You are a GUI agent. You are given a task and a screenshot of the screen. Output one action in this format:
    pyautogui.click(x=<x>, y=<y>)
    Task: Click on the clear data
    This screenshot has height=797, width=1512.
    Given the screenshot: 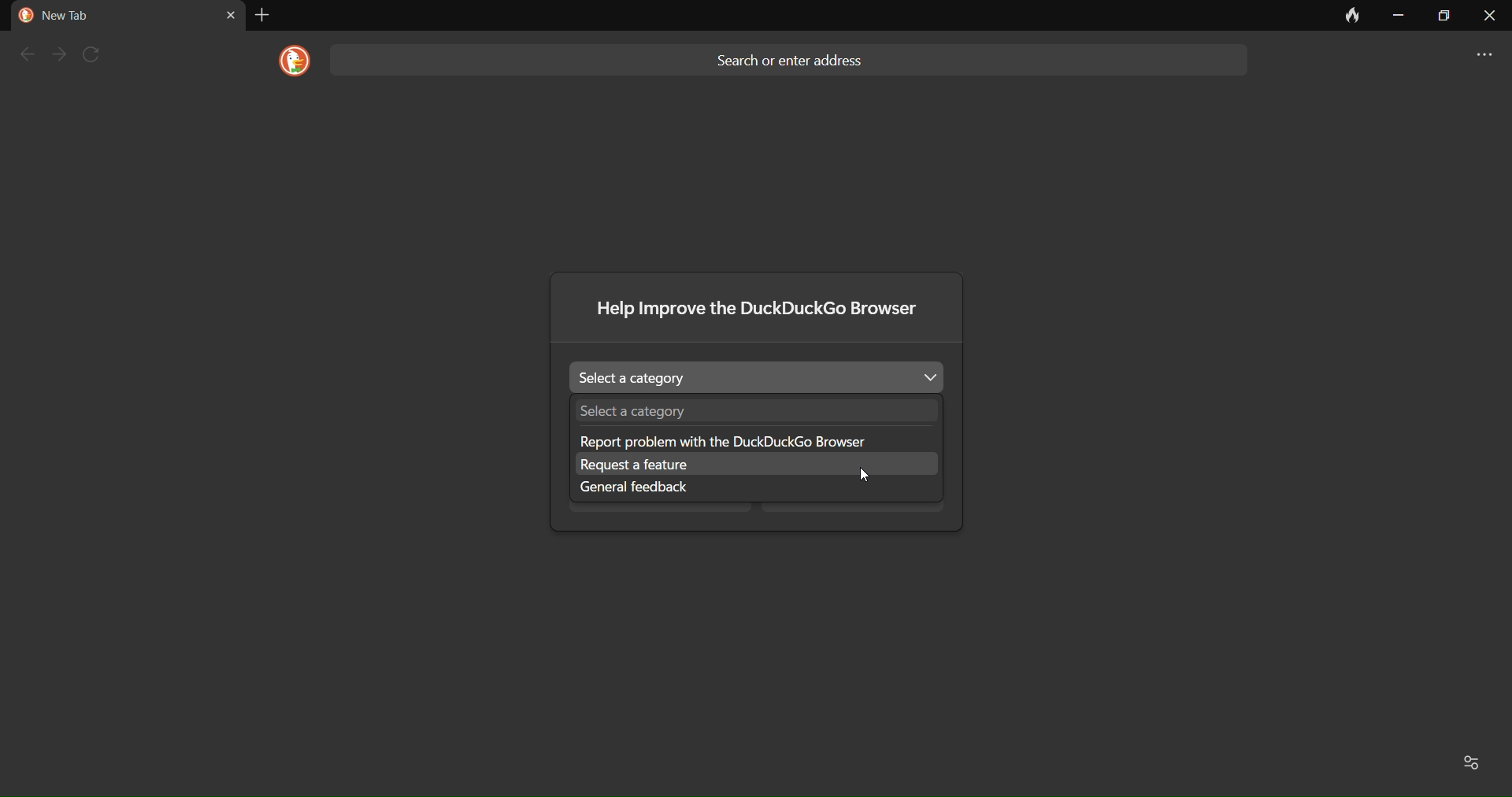 What is the action you would take?
    pyautogui.click(x=1345, y=20)
    